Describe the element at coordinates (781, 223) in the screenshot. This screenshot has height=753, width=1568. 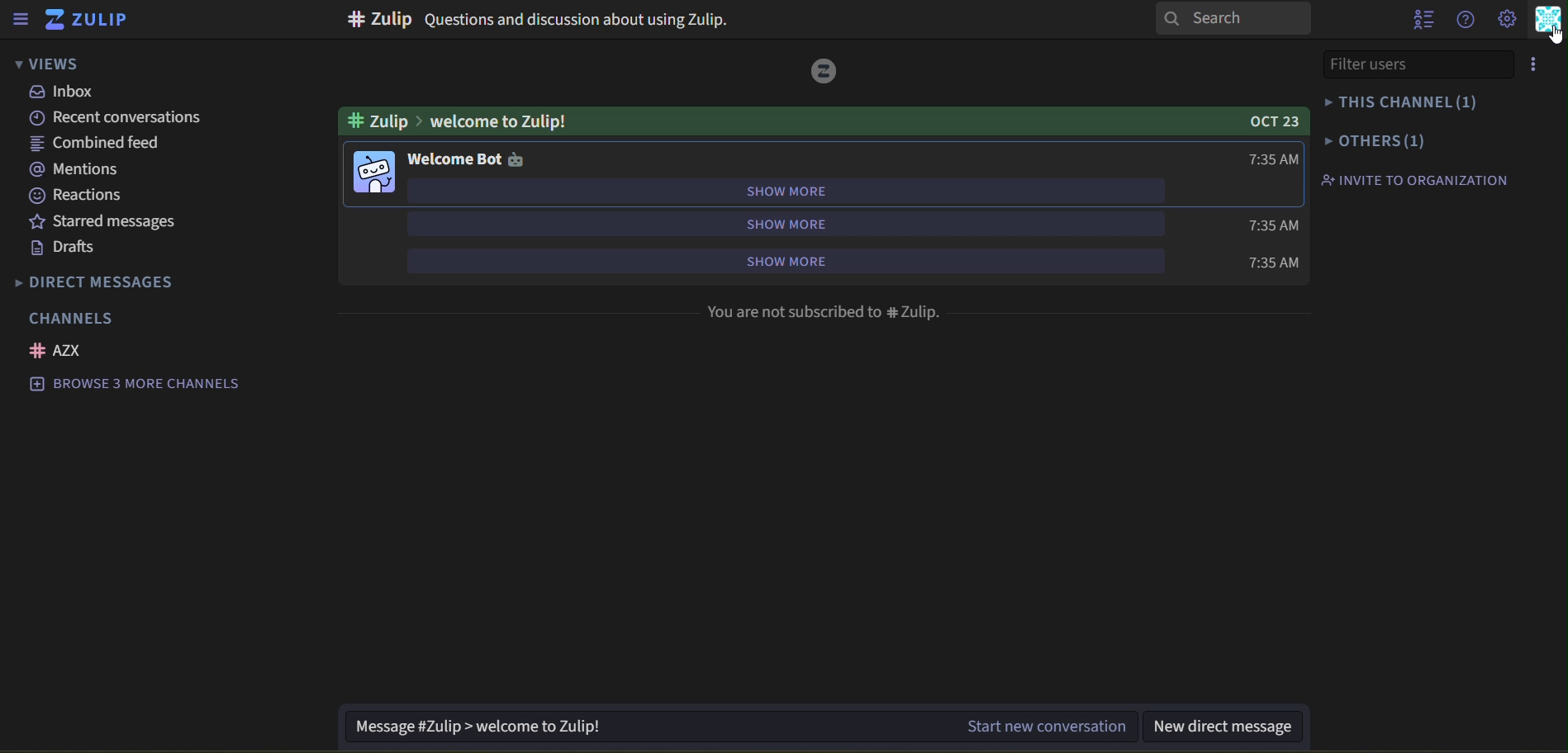
I see `show more` at that location.